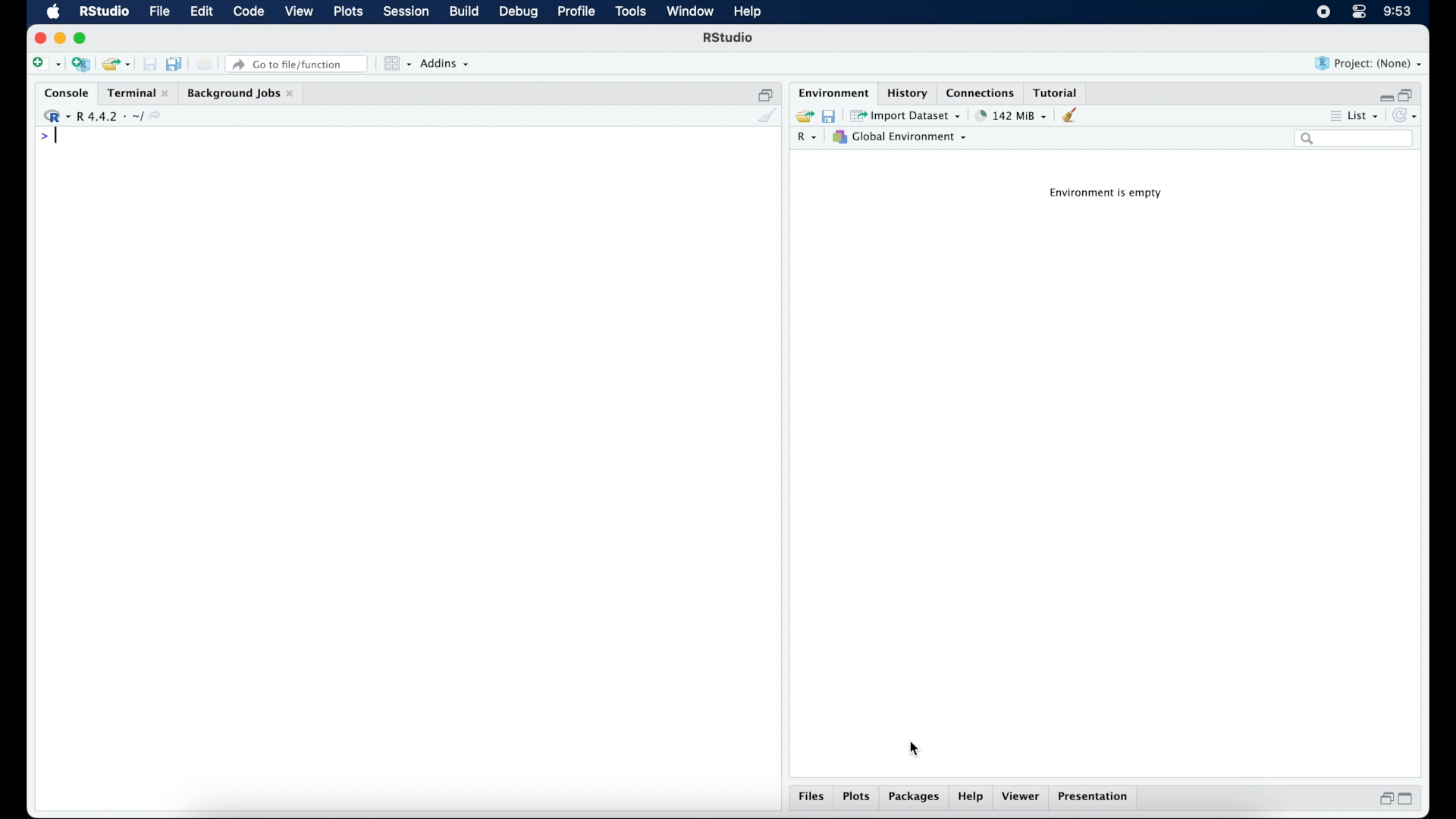  I want to click on 142 MB, so click(1012, 115).